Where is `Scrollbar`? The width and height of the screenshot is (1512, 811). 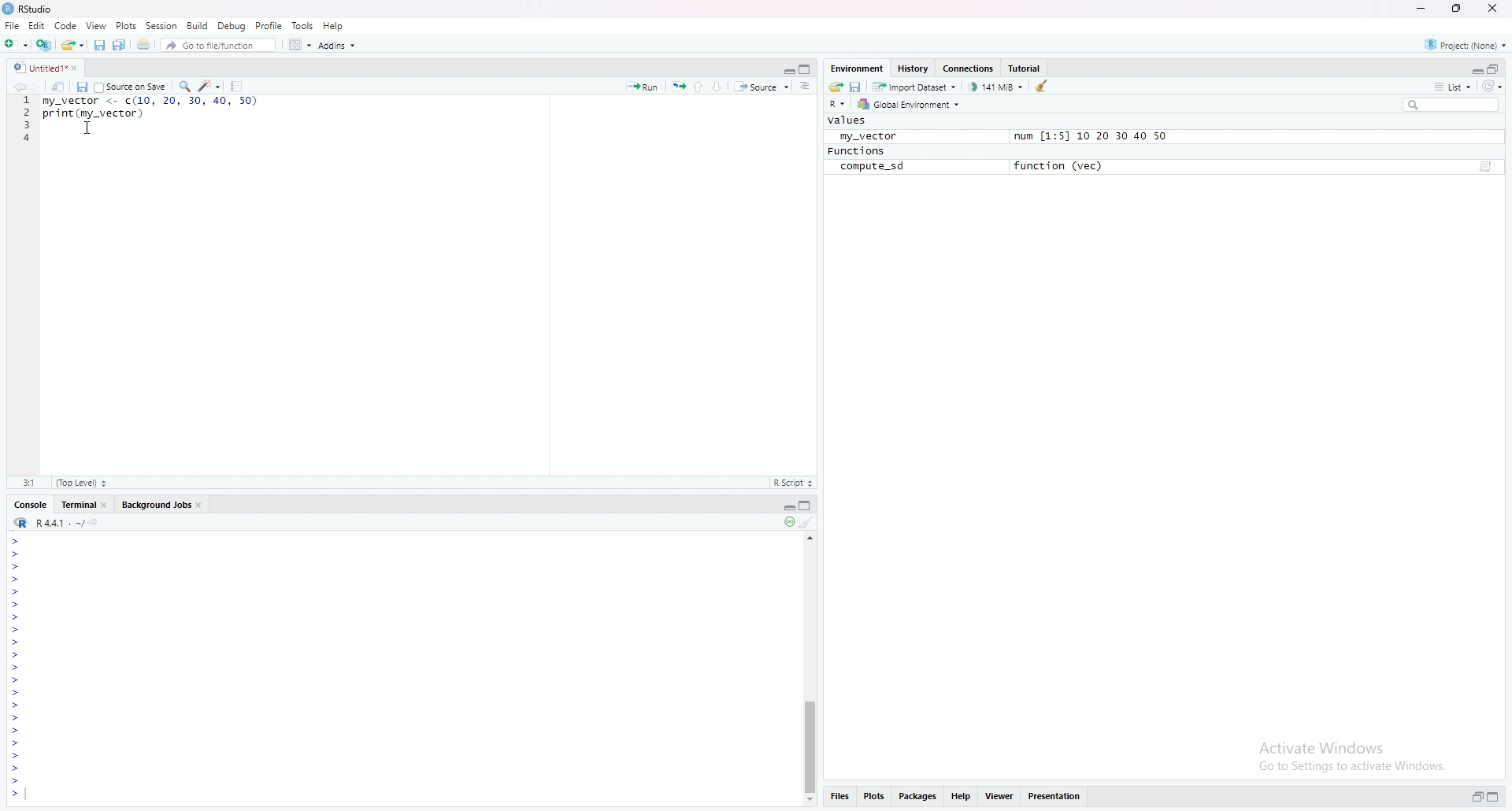
Scrollbar is located at coordinates (810, 742).